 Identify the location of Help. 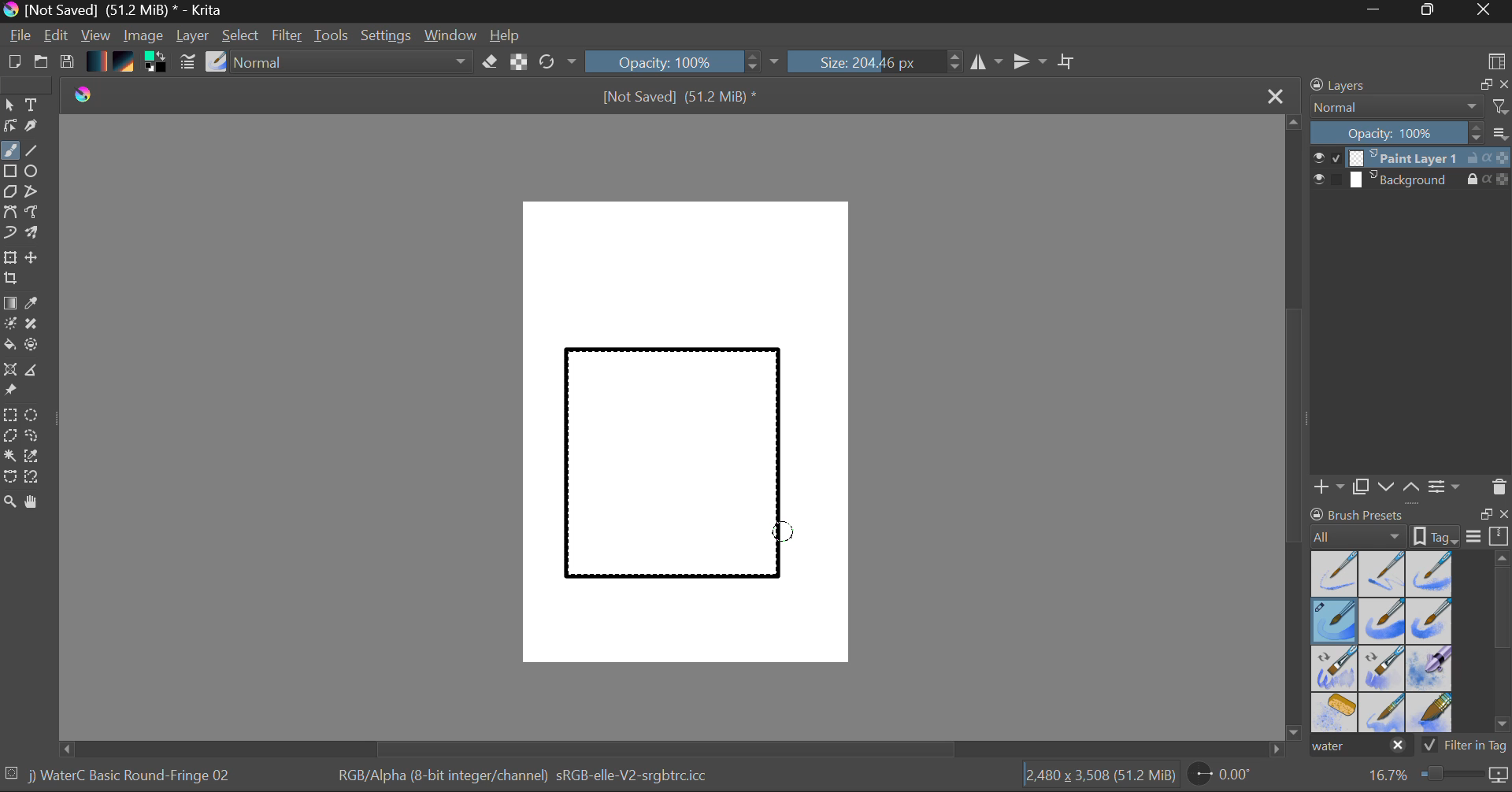
(506, 35).